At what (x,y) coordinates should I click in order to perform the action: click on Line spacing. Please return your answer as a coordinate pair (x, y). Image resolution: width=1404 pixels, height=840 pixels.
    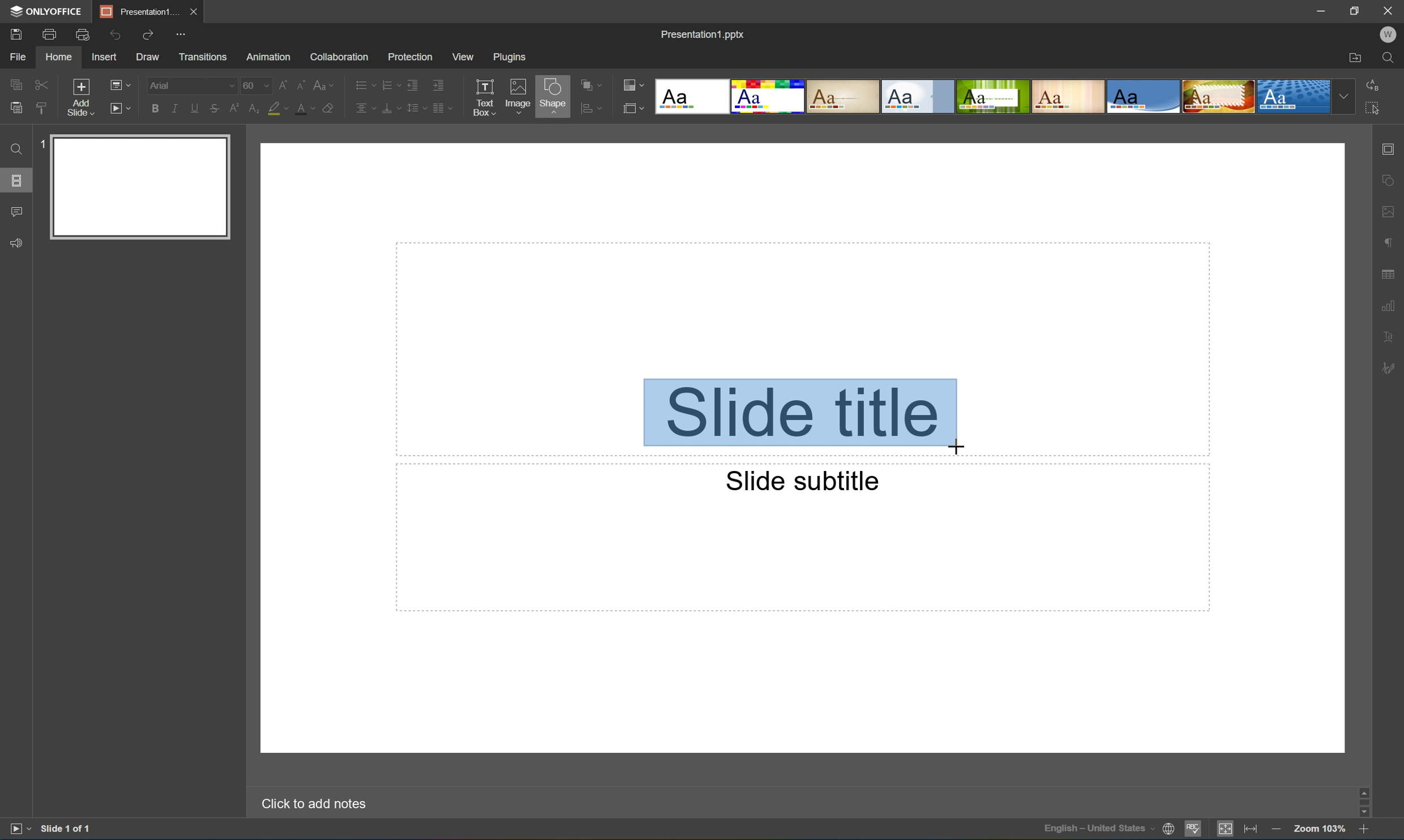
    Looking at the image, I should click on (415, 109).